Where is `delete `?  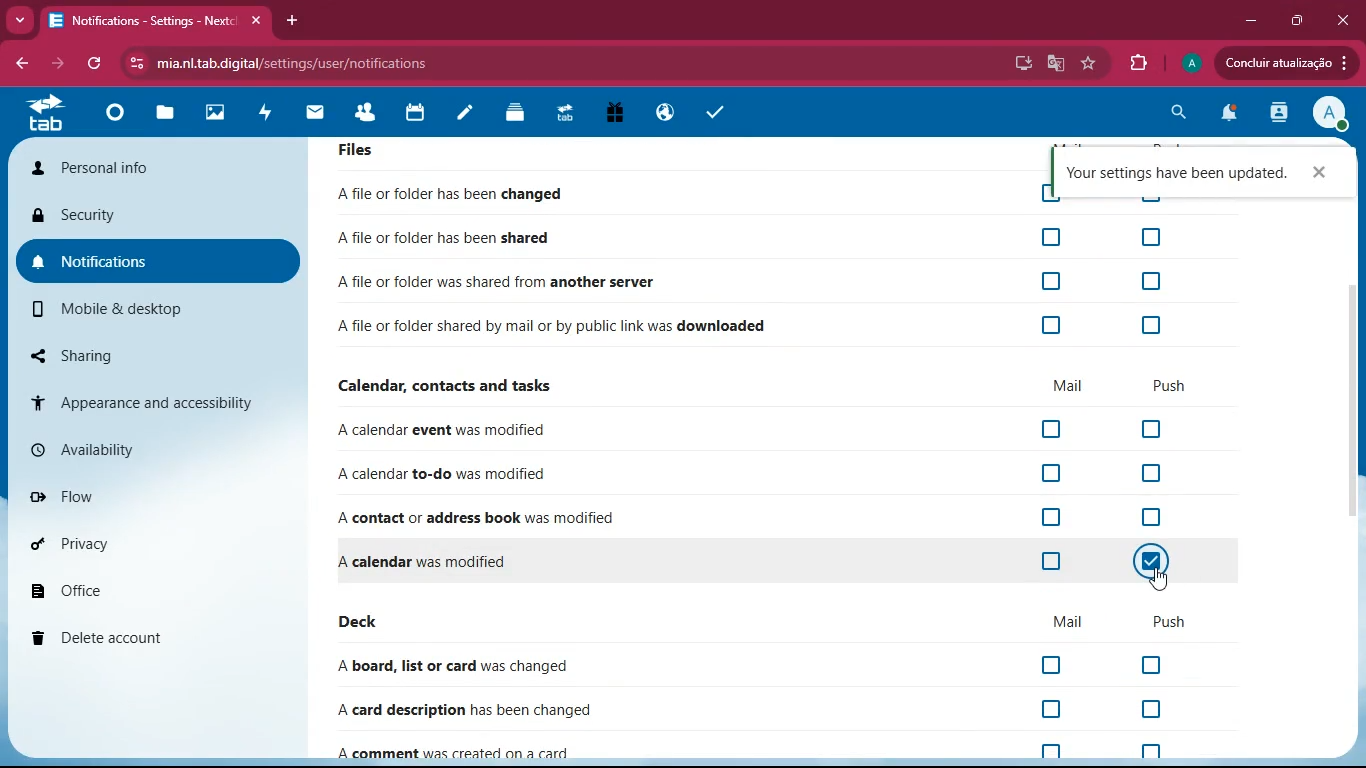 delete  is located at coordinates (137, 632).